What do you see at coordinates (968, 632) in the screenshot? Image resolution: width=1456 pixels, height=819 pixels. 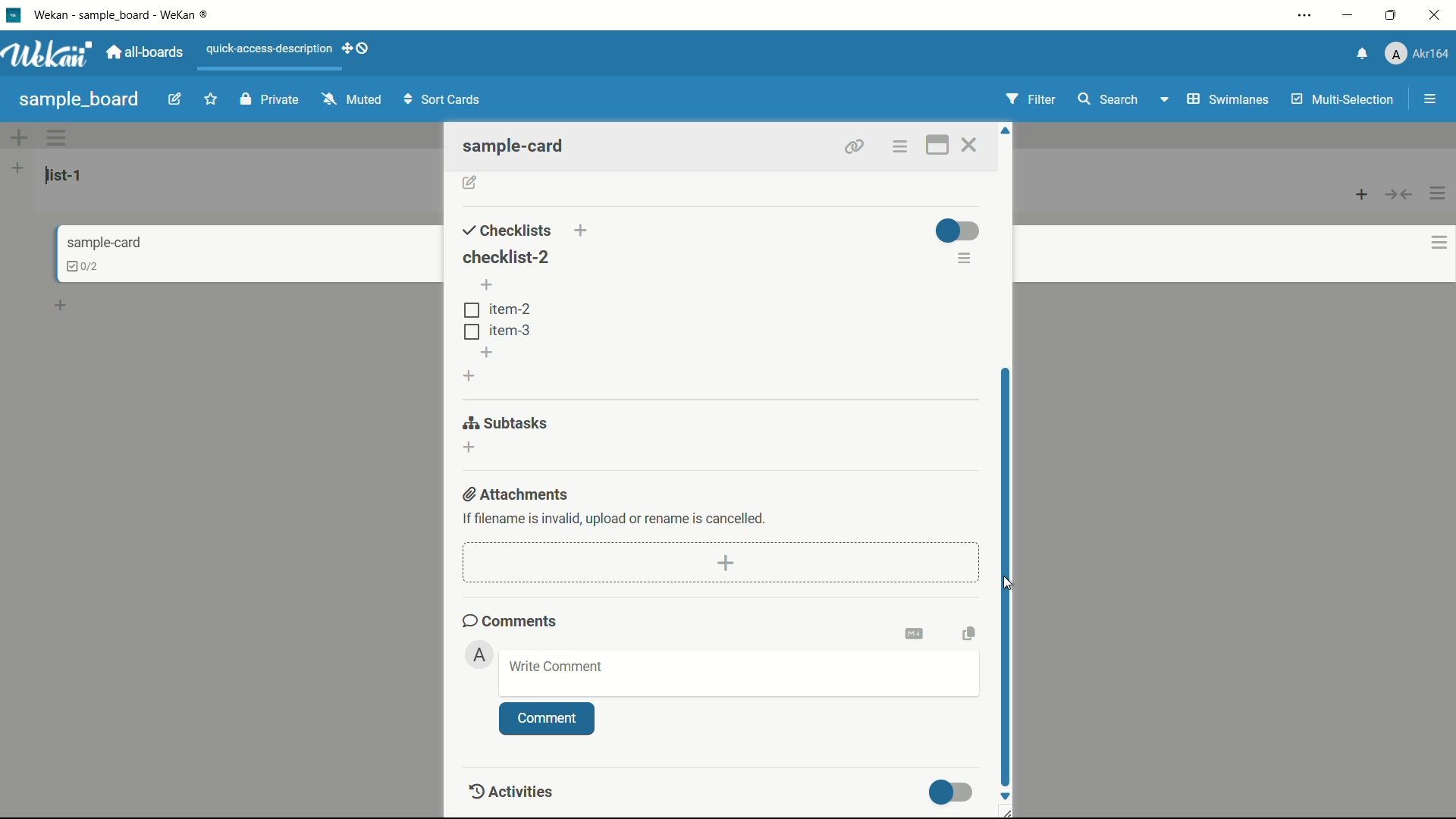 I see `copy text to clipboard` at bounding box center [968, 632].